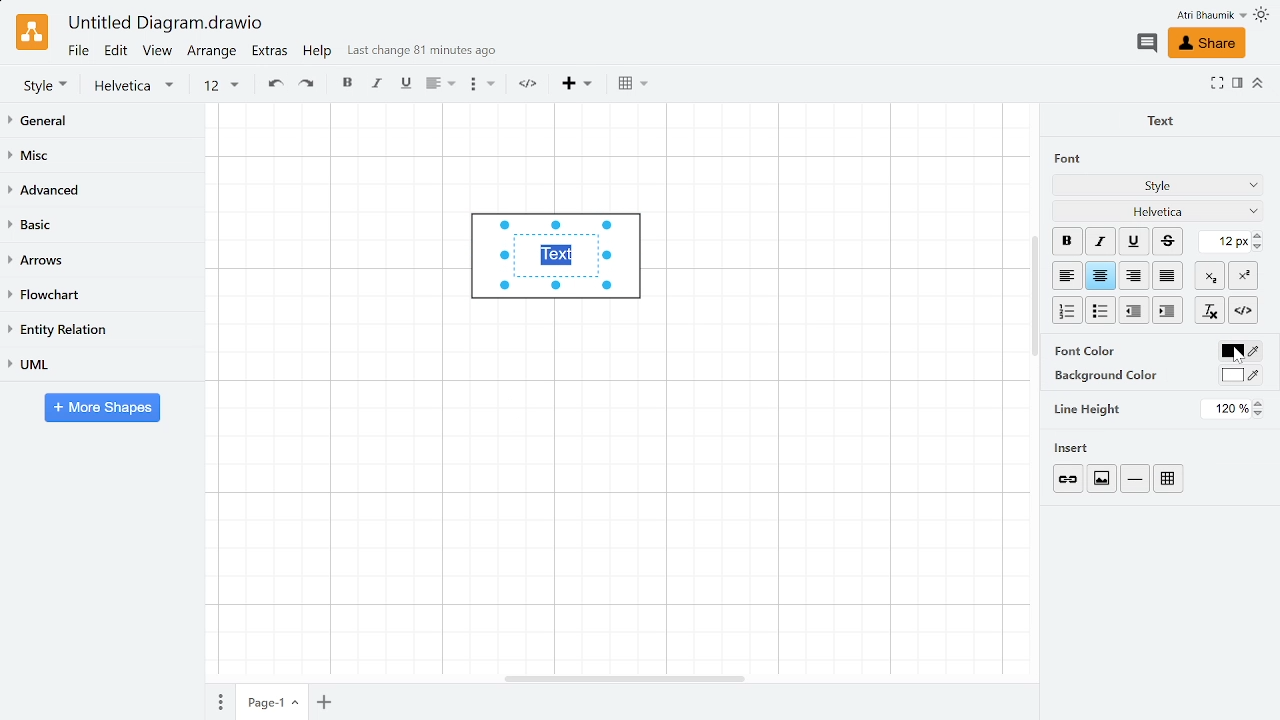 The height and width of the screenshot is (720, 1280). What do you see at coordinates (1066, 275) in the screenshot?
I see `Allign left` at bounding box center [1066, 275].